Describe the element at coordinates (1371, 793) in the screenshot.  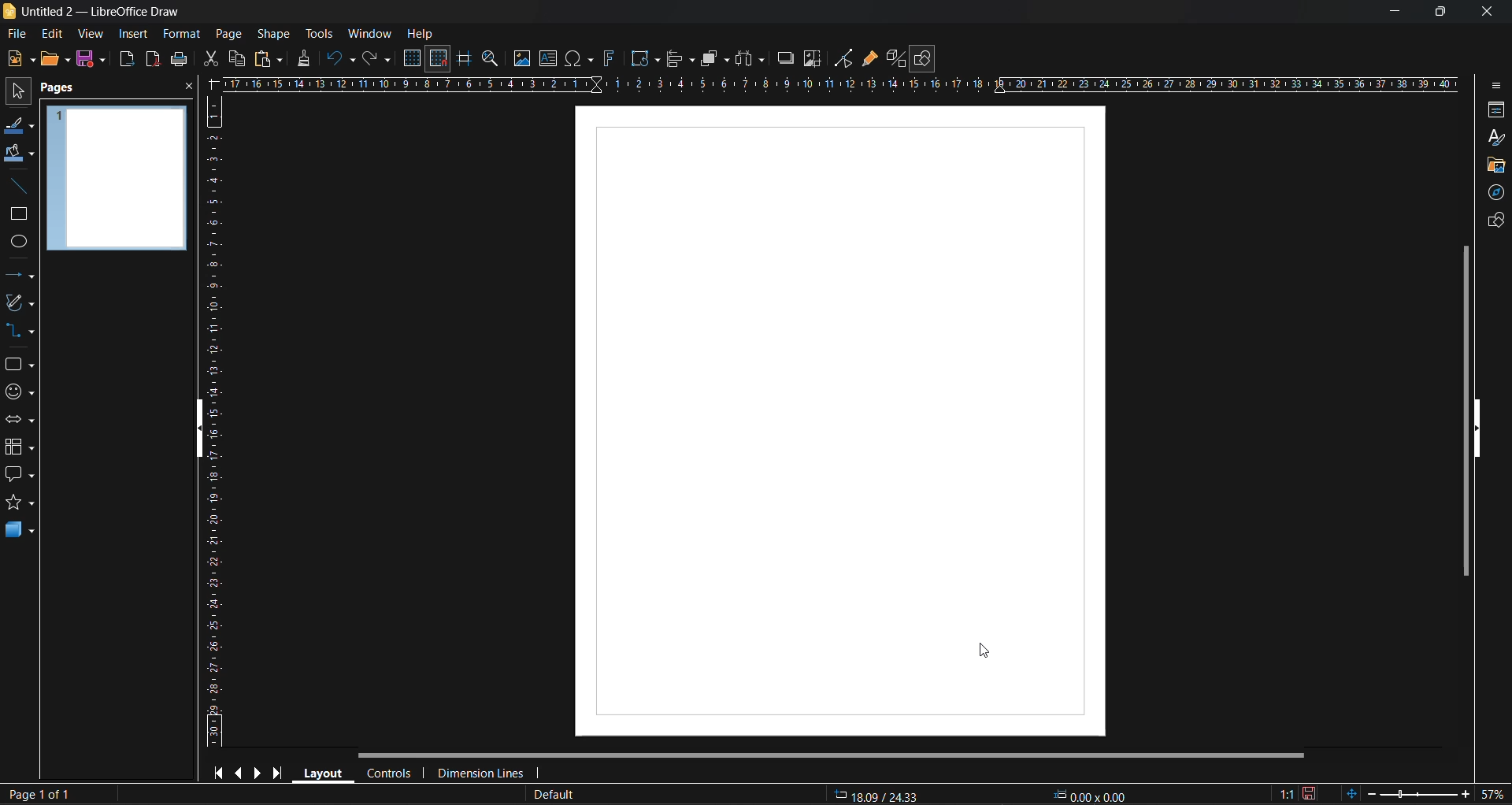
I see `zoom out` at that location.